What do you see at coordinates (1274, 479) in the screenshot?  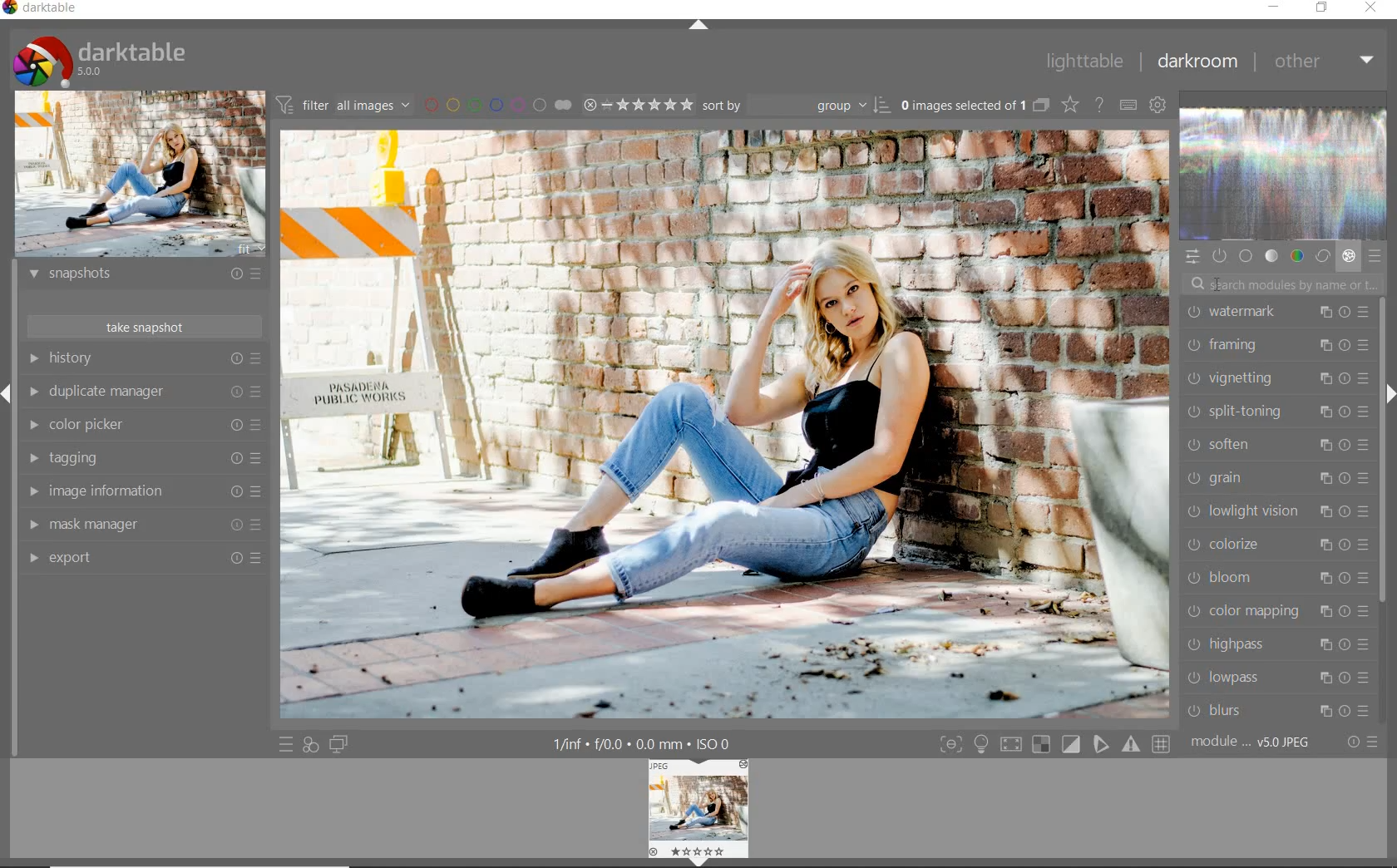 I see `grain` at bounding box center [1274, 479].